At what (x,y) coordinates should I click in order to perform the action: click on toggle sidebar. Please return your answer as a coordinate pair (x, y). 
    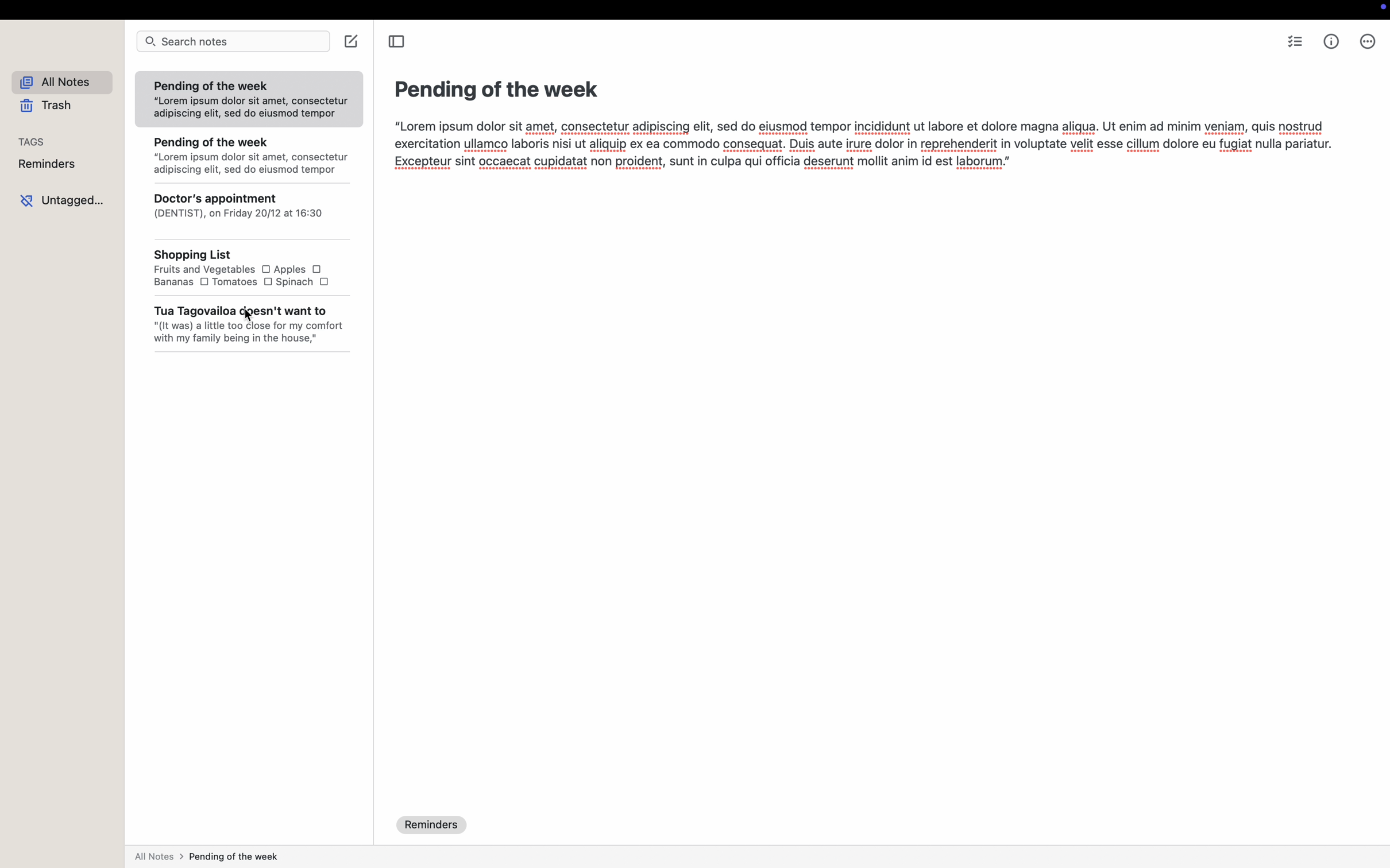
    Looking at the image, I should click on (396, 41).